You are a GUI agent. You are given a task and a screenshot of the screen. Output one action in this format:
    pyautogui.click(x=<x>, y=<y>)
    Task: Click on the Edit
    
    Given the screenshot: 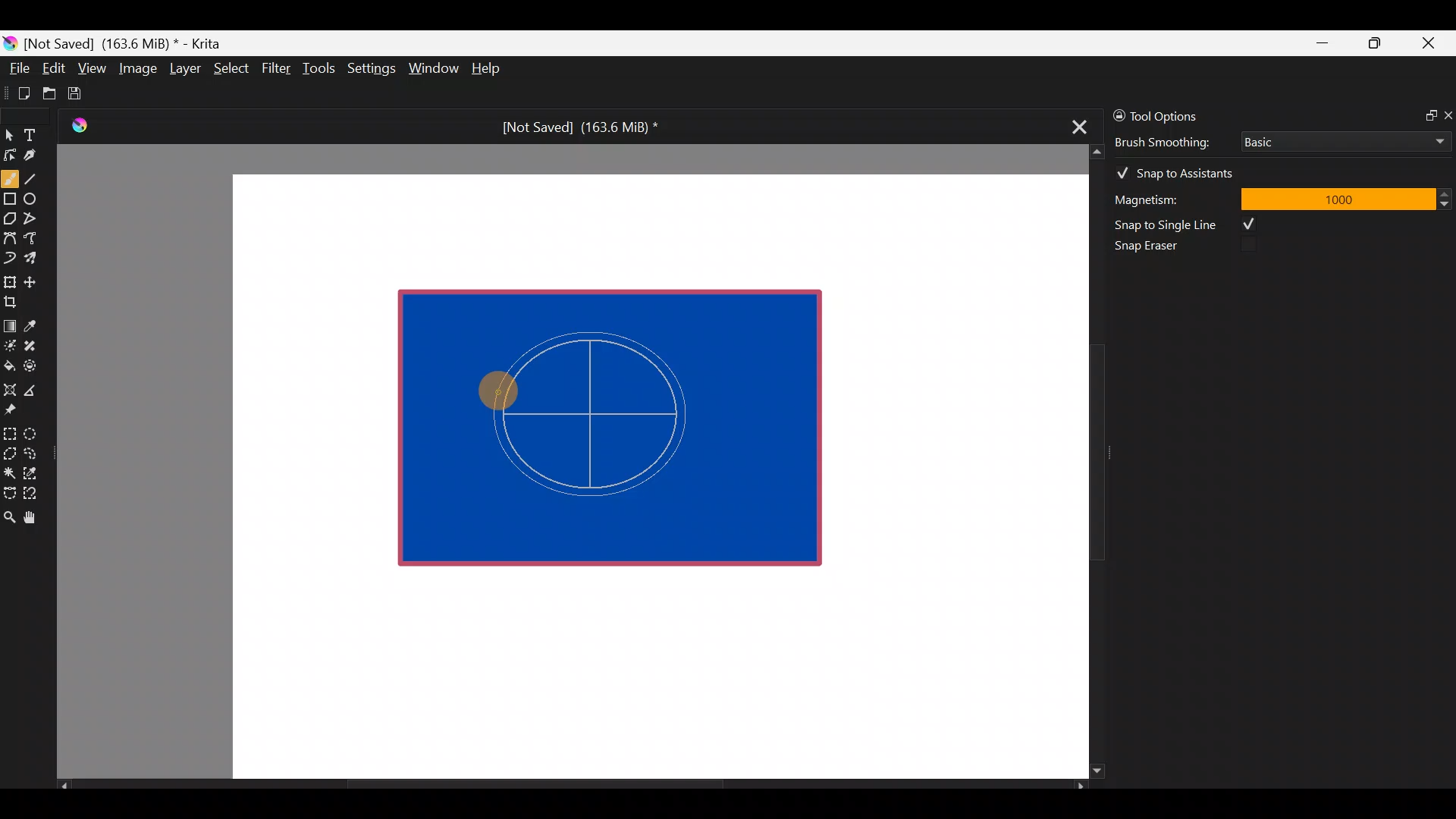 What is the action you would take?
    pyautogui.click(x=53, y=71)
    